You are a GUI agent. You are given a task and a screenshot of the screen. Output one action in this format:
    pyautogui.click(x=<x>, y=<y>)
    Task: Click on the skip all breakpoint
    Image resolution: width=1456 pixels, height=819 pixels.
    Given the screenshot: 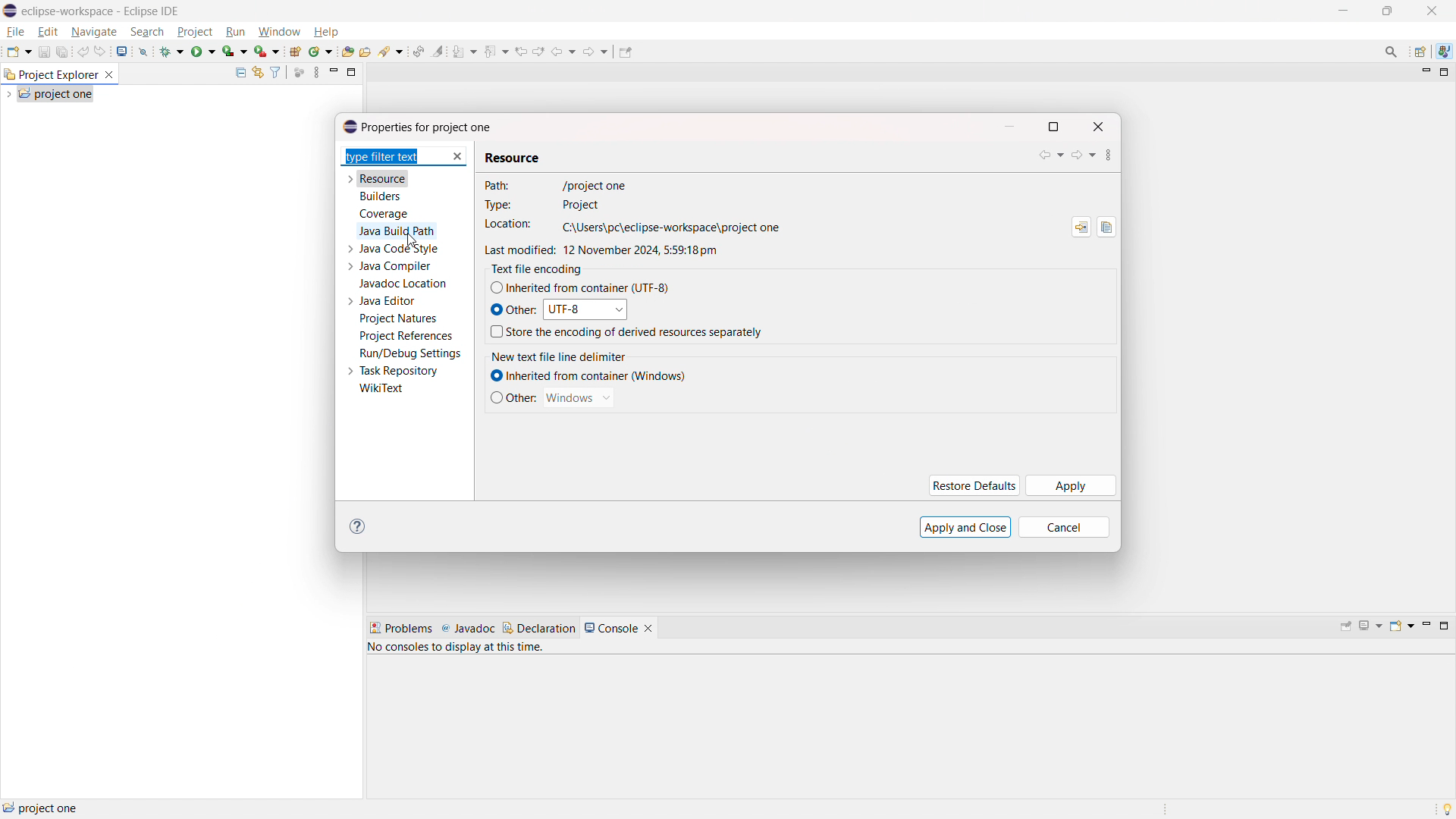 What is the action you would take?
    pyautogui.click(x=143, y=50)
    